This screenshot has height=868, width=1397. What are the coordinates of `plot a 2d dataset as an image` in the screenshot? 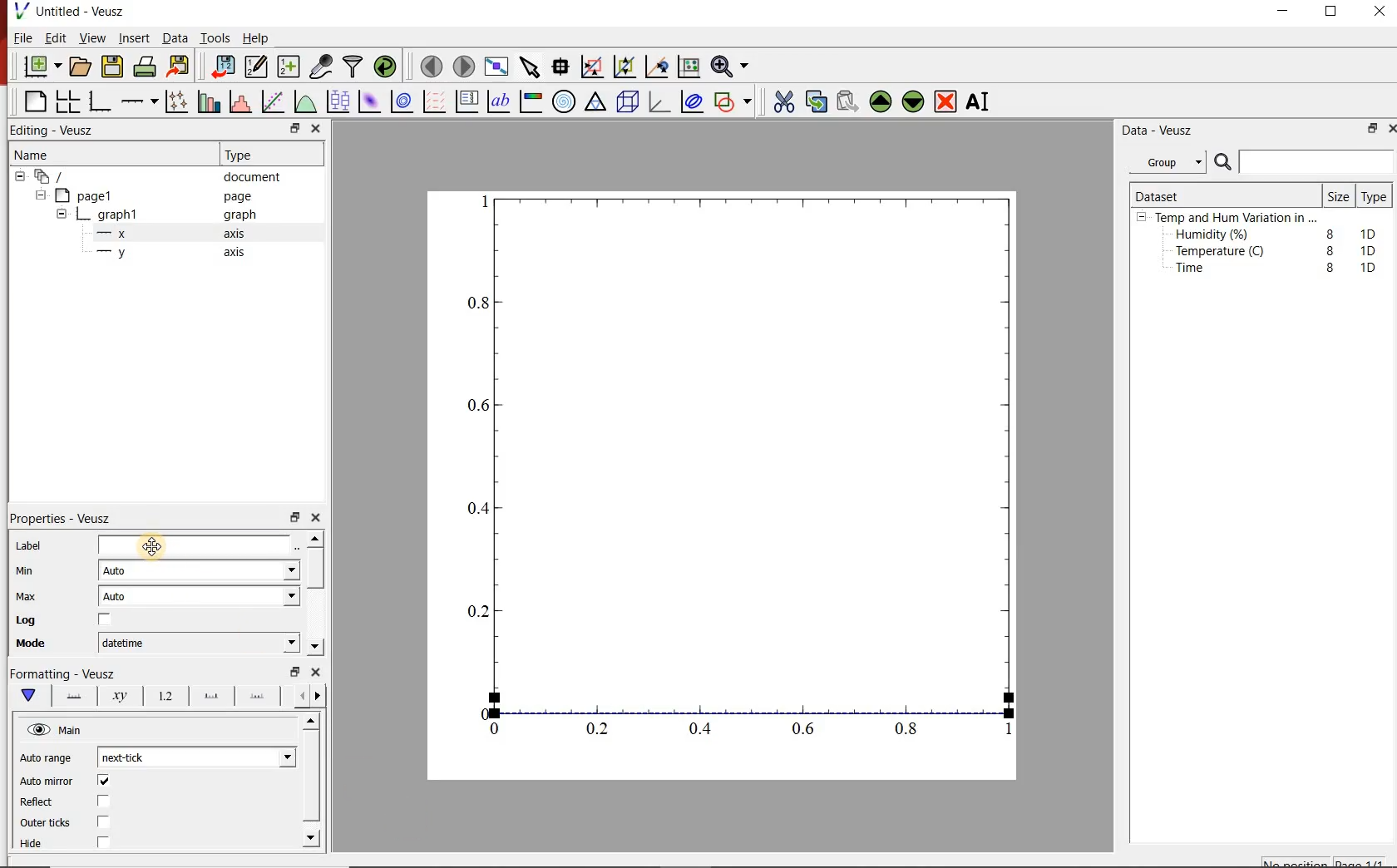 It's located at (370, 102).